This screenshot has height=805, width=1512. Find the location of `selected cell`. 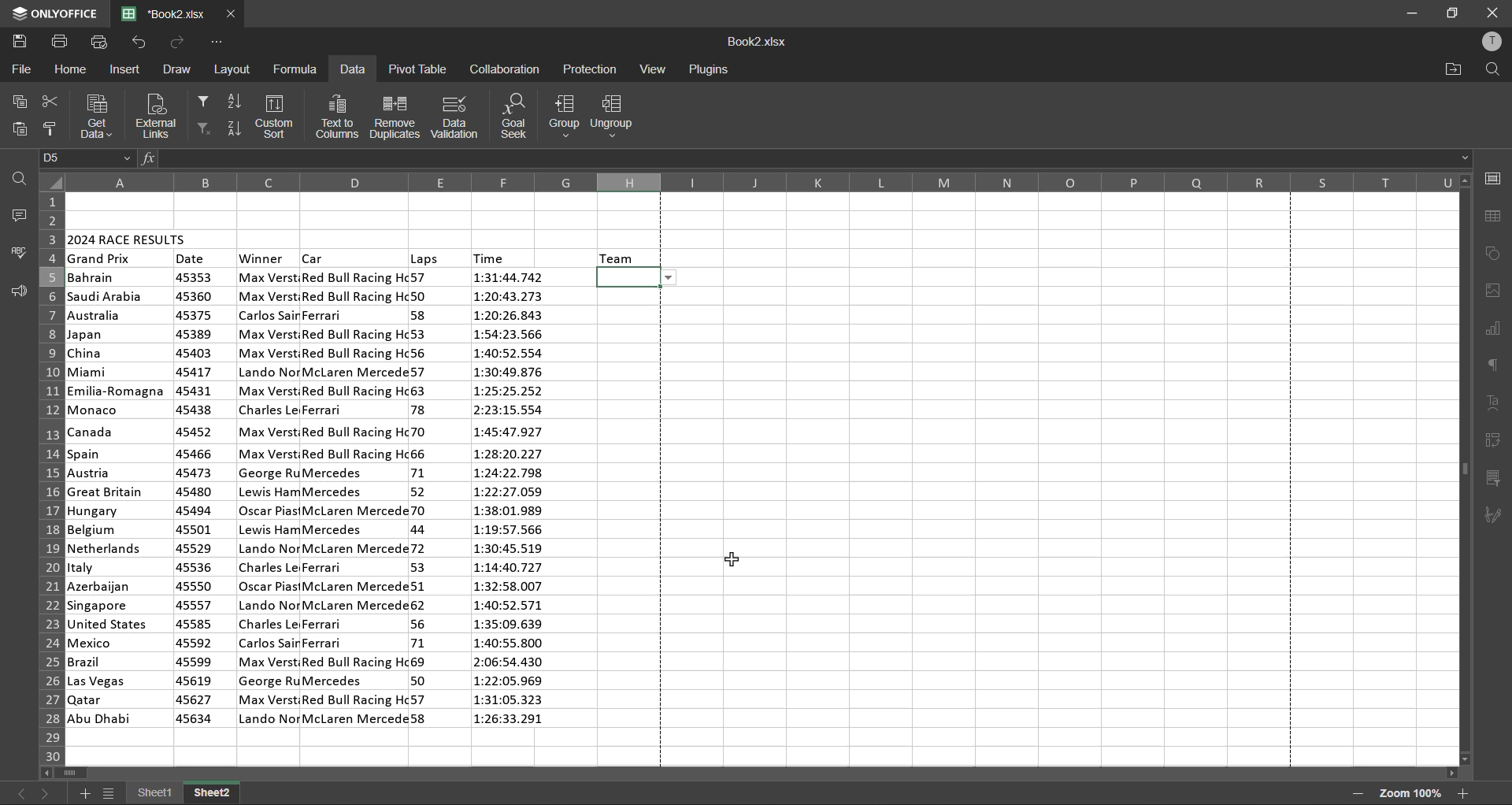

selected cell is located at coordinates (626, 277).